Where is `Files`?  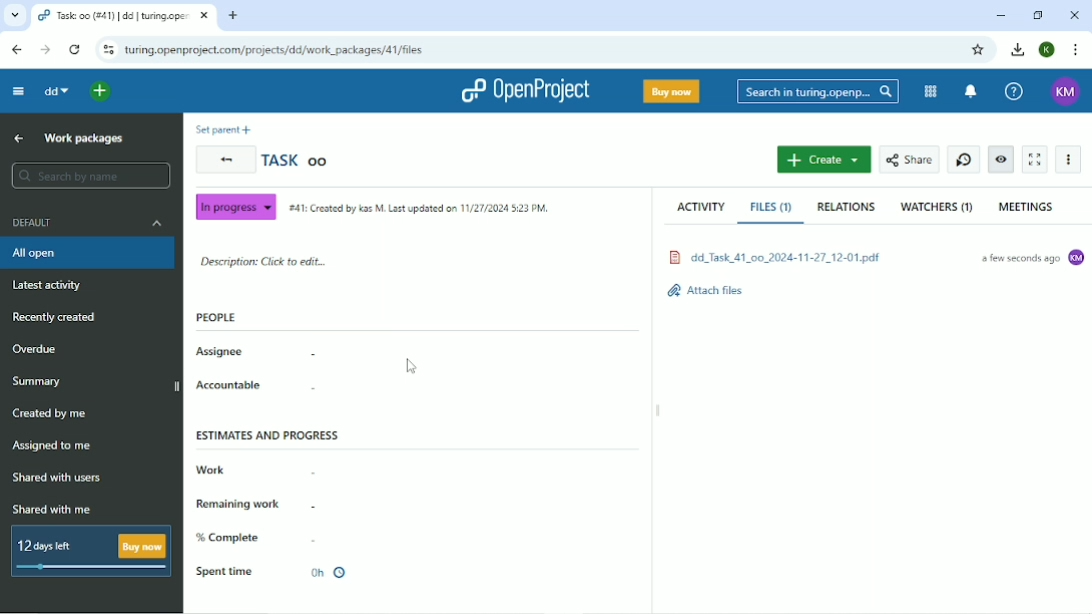
Files is located at coordinates (765, 207).